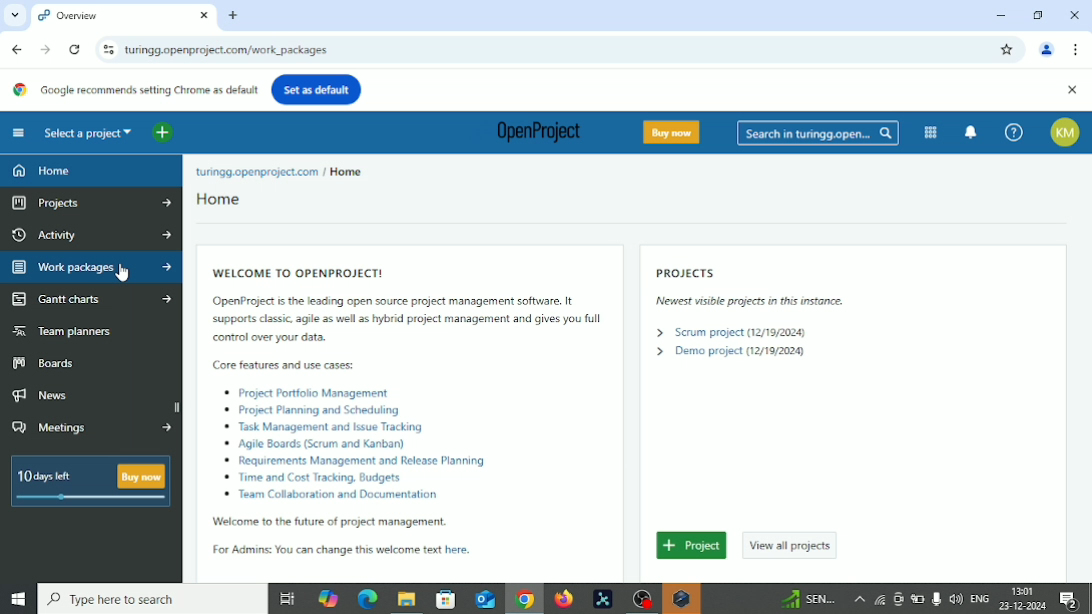  I want to click on Account, so click(1069, 132).